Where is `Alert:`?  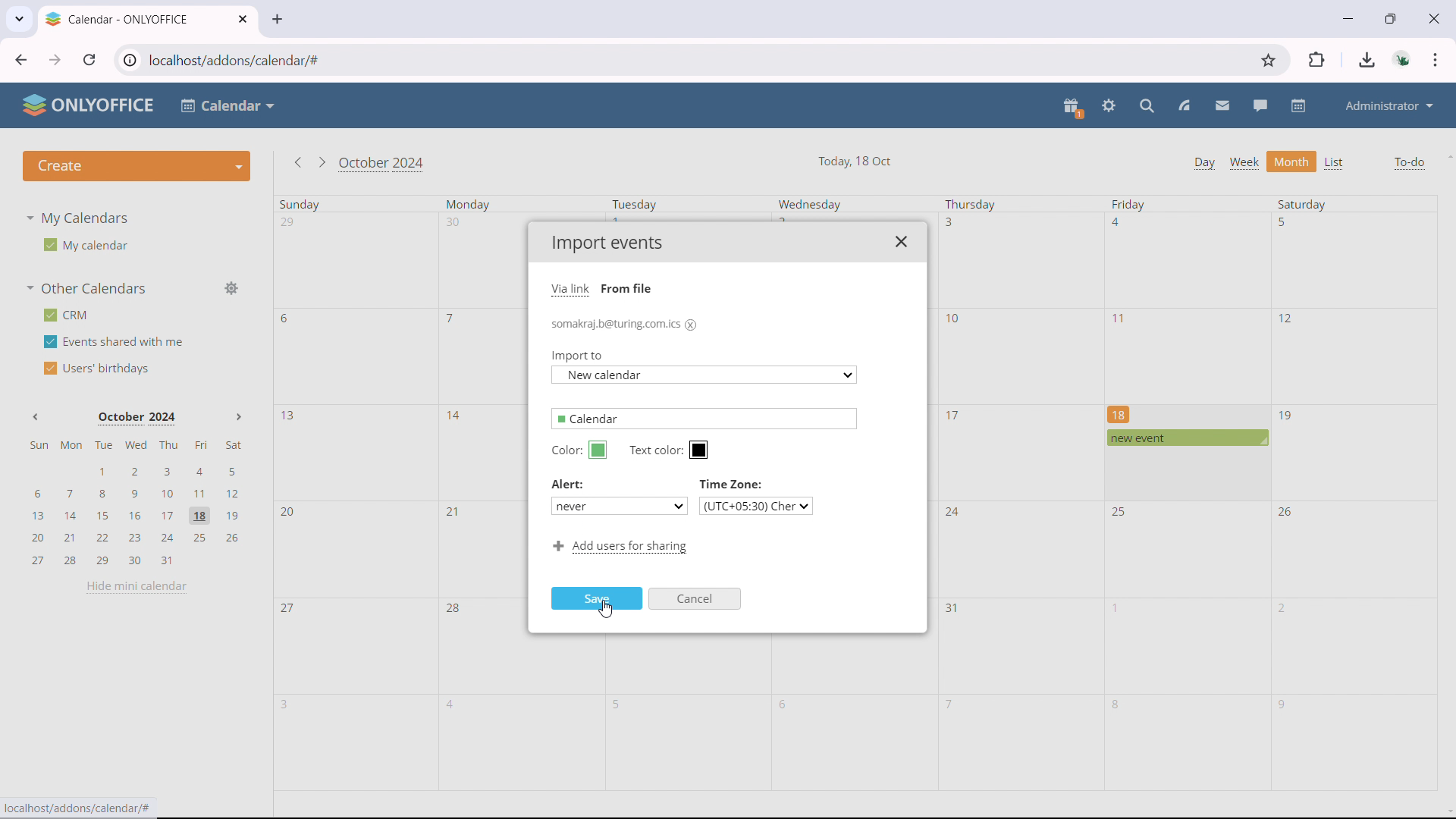 Alert: is located at coordinates (570, 486).